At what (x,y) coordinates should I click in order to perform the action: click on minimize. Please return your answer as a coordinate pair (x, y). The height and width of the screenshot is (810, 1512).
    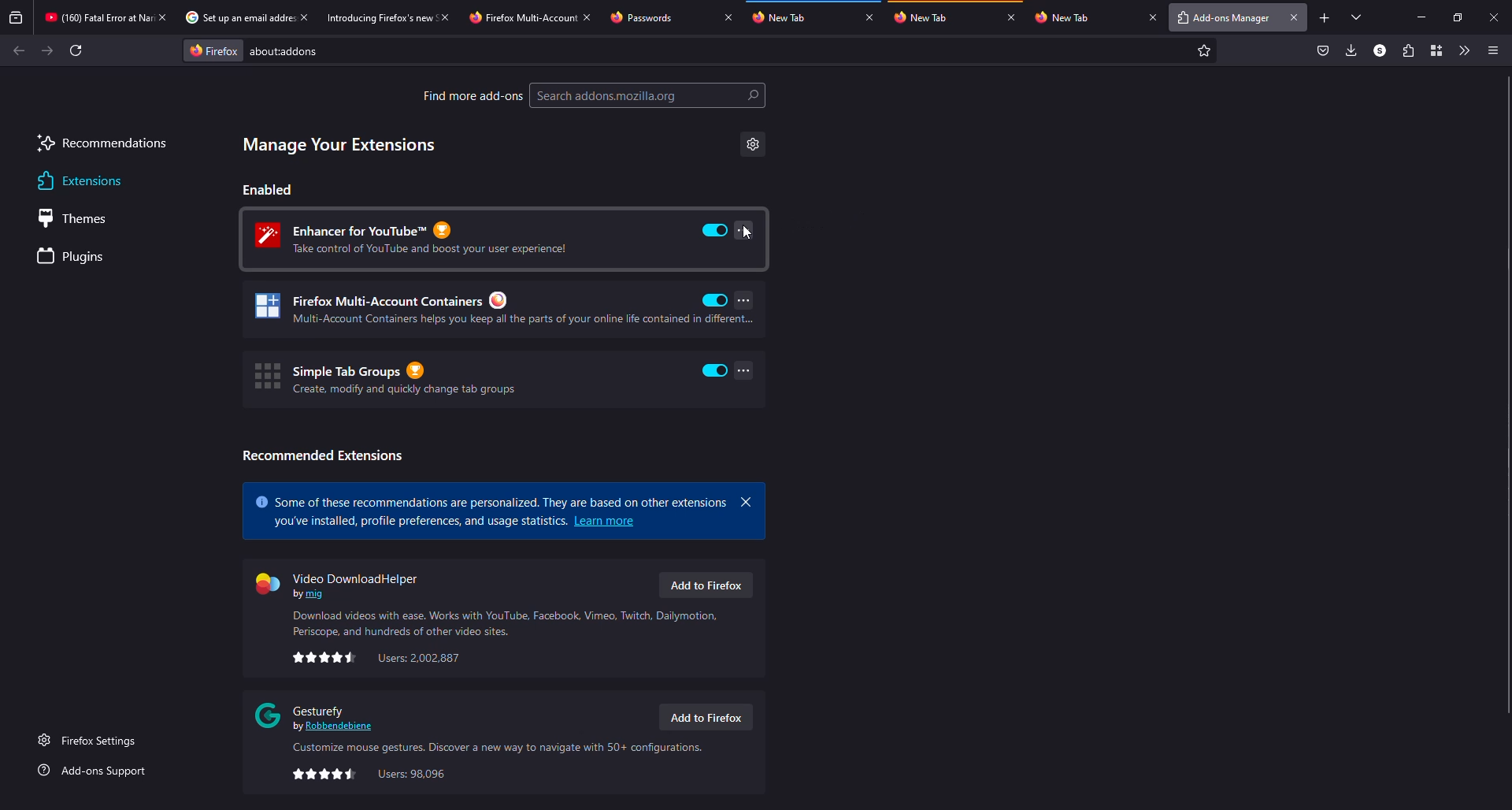
    Looking at the image, I should click on (1422, 17).